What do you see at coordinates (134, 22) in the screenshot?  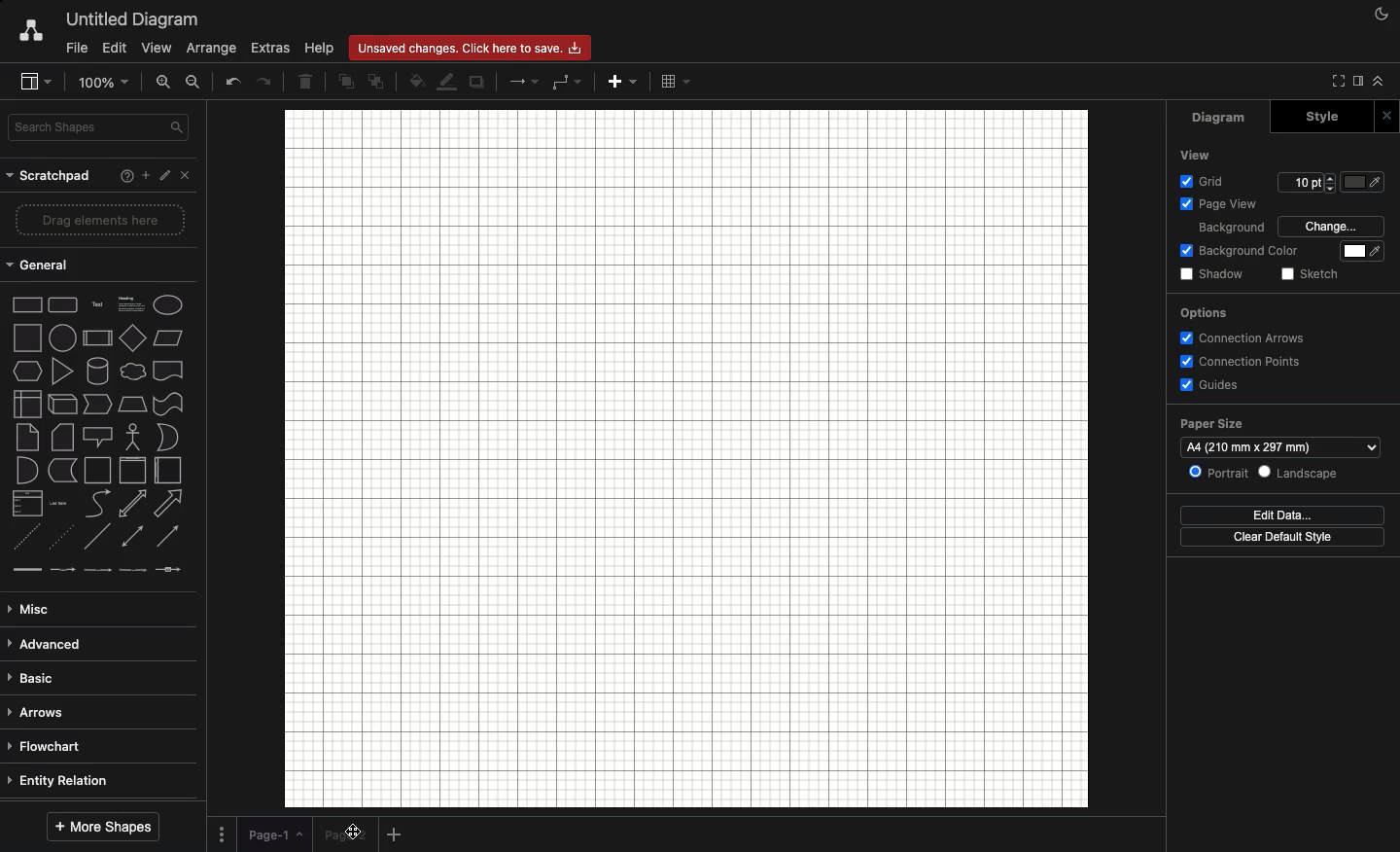 I see `Untitled diagram` at bounding box center [134, 22].